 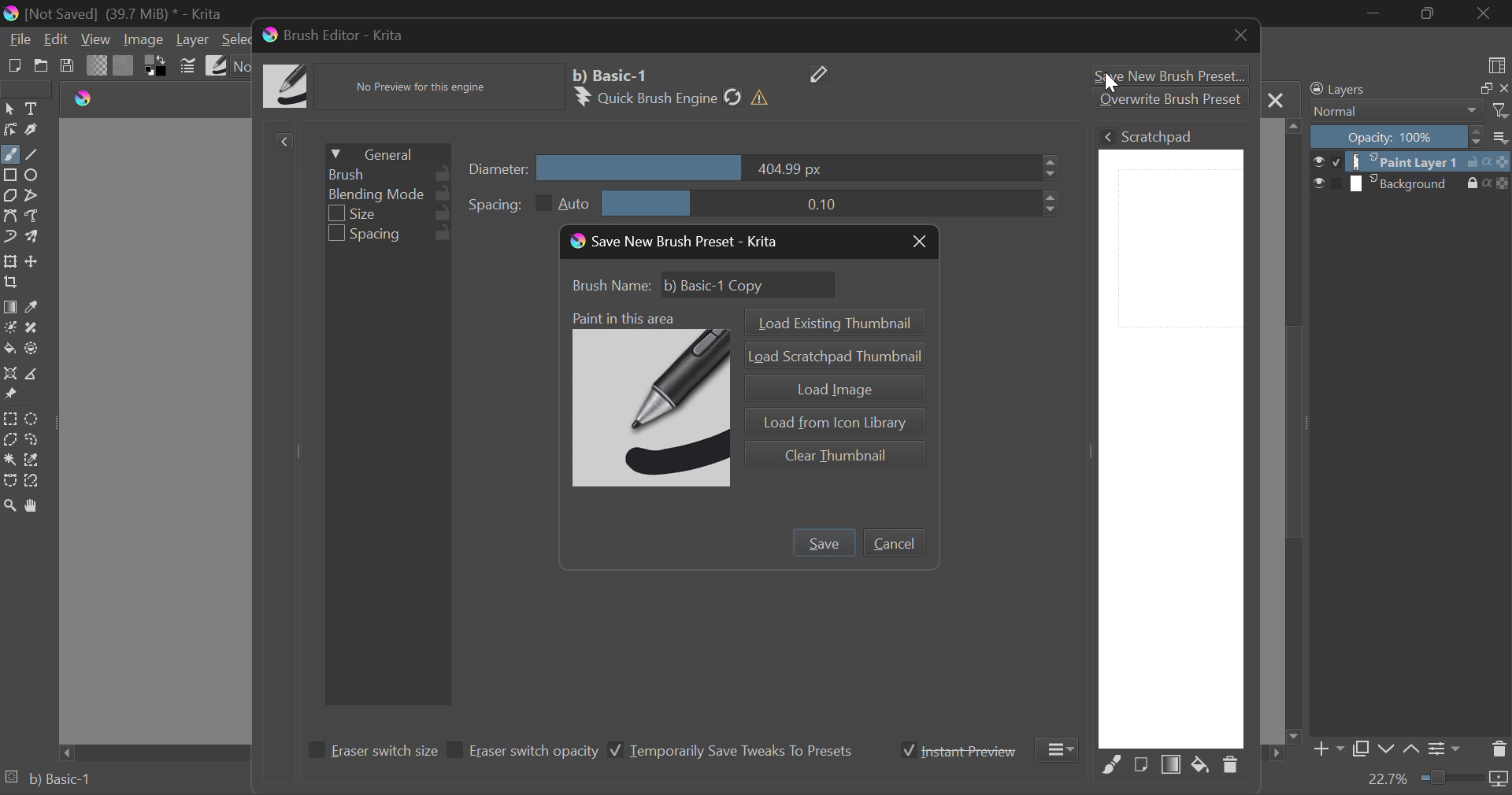 What do you see at coordinates (113, 13) in the screenshot?
I see `(Not Saved) (39,7 MB)* -Krita` at bounding box center [113, 13].